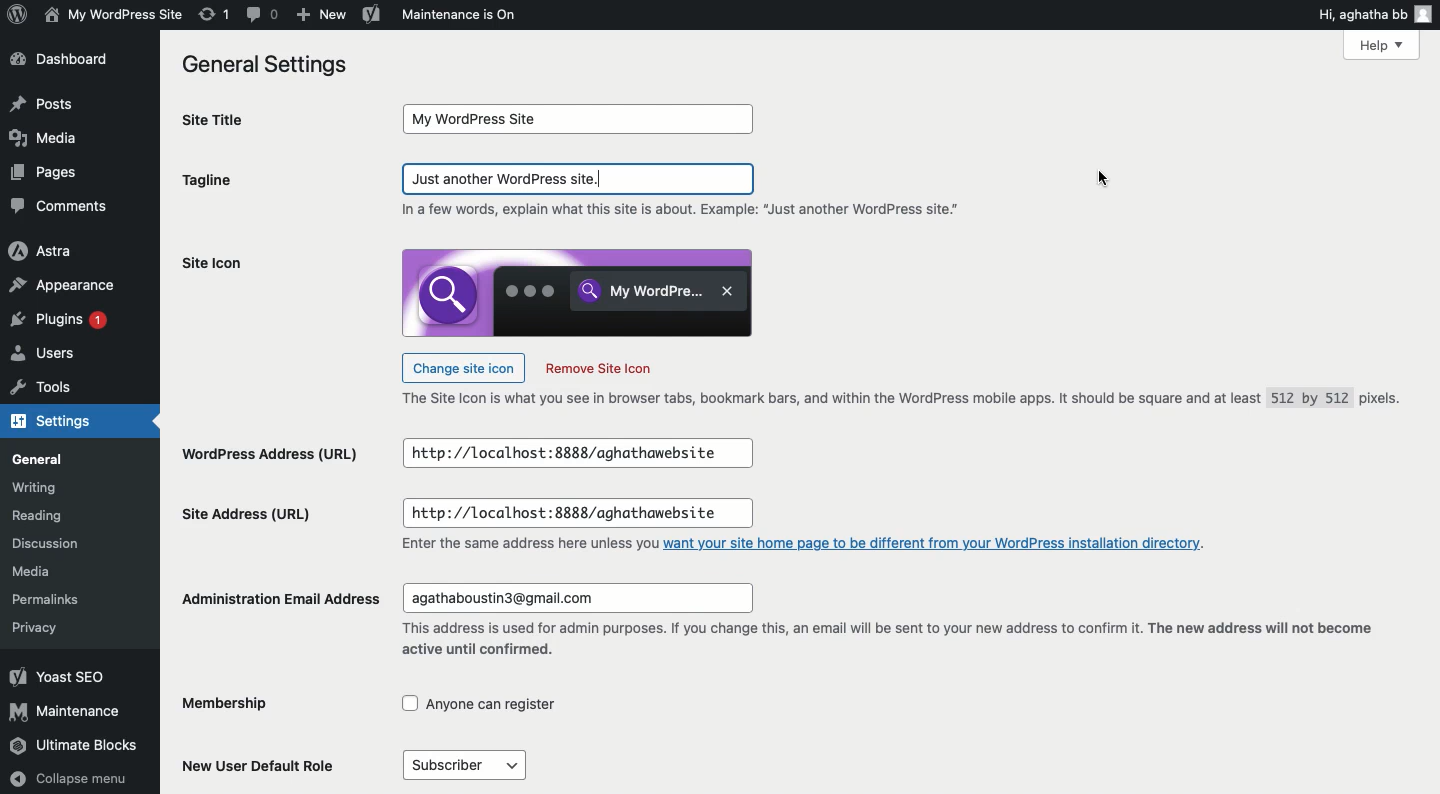 The width and height of the screenshot is (1440, 794). Describe the element at coordinates (66, 287) in the screenshot. I see `Appearance` at that location.